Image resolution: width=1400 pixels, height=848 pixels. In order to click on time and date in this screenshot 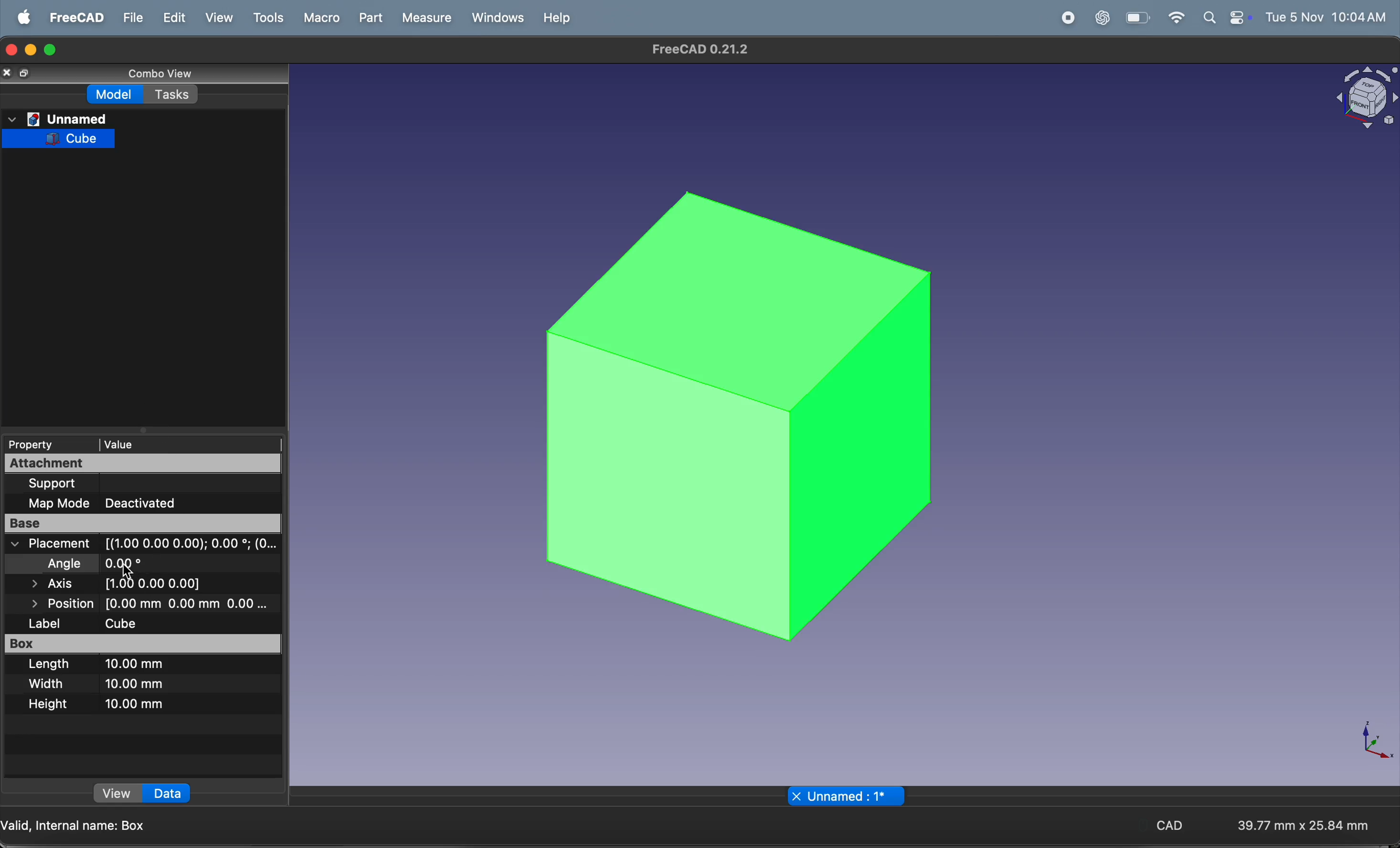, I will do `click(1330, 16)`.